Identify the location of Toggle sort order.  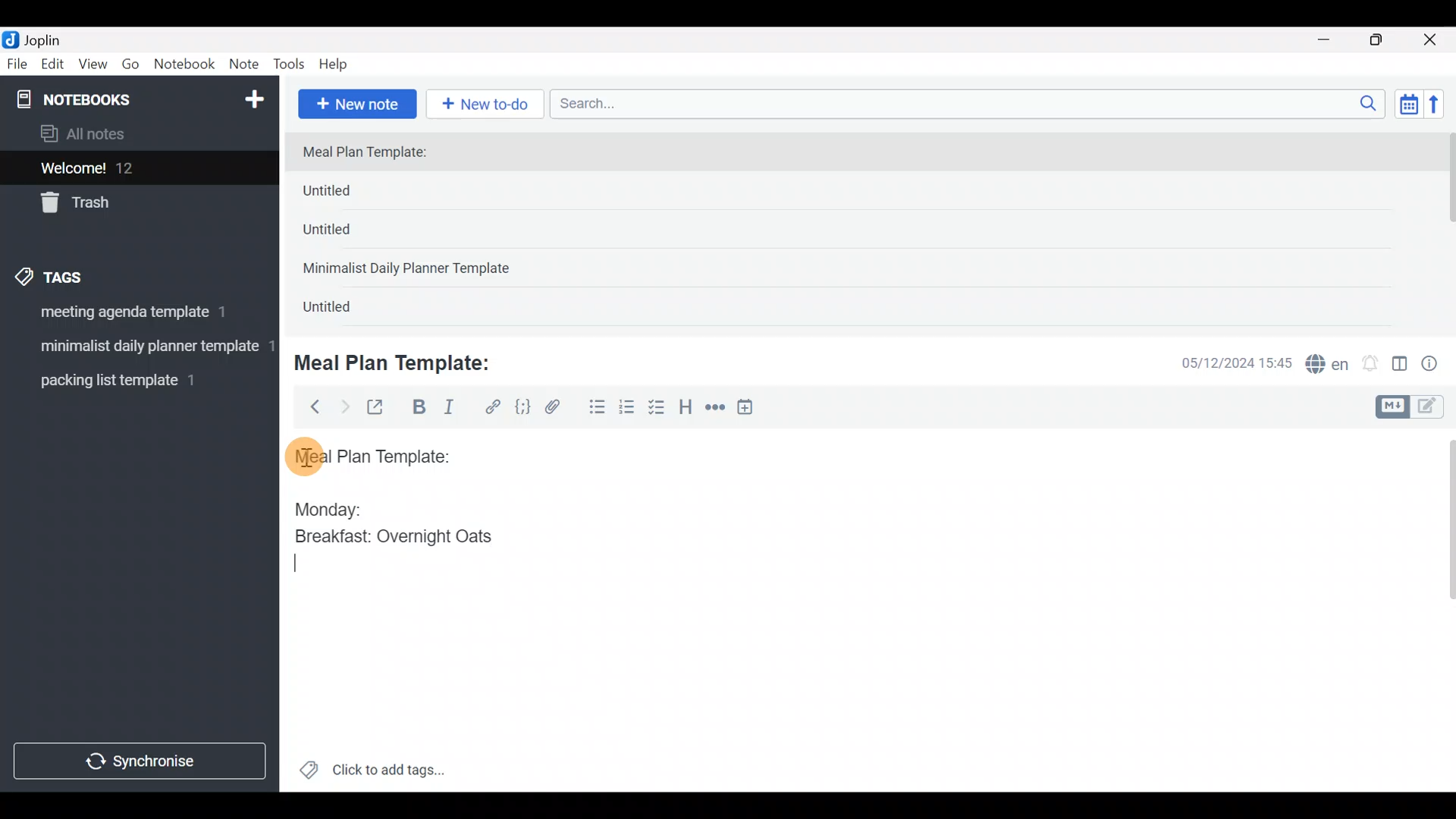
(1408, 105).